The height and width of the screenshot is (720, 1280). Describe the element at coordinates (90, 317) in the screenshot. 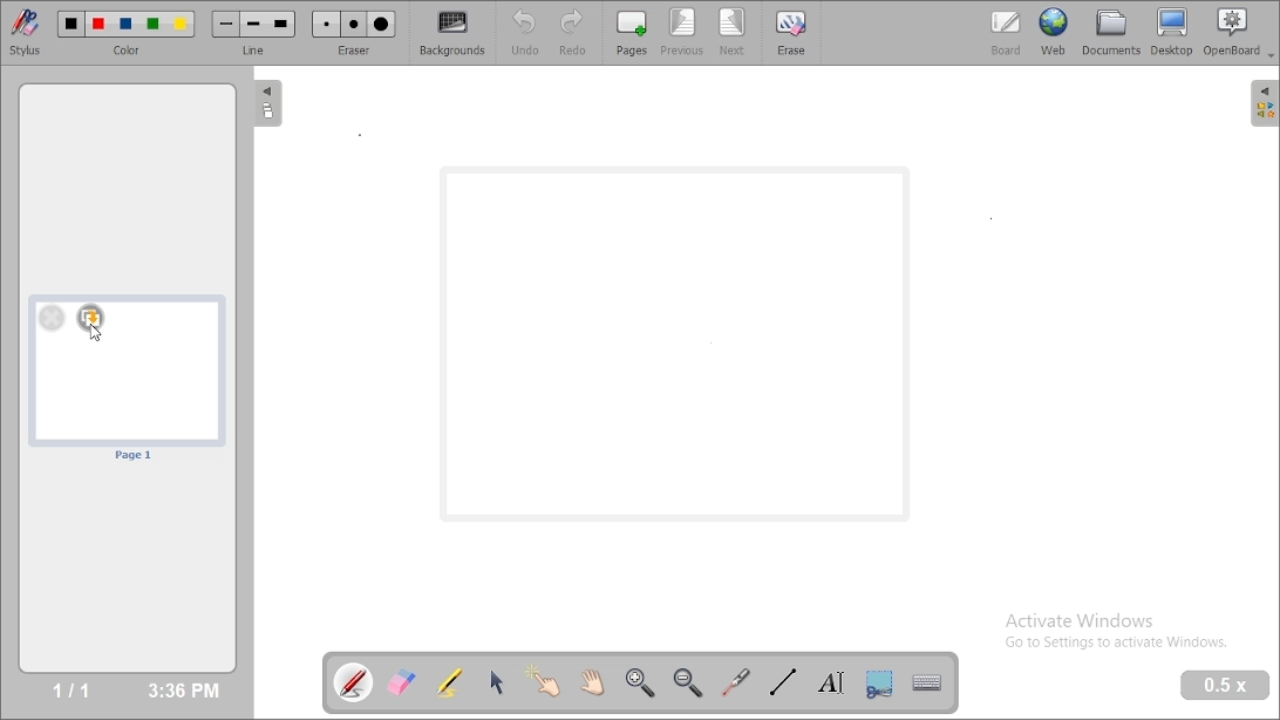

I see `duplicate` at that location.